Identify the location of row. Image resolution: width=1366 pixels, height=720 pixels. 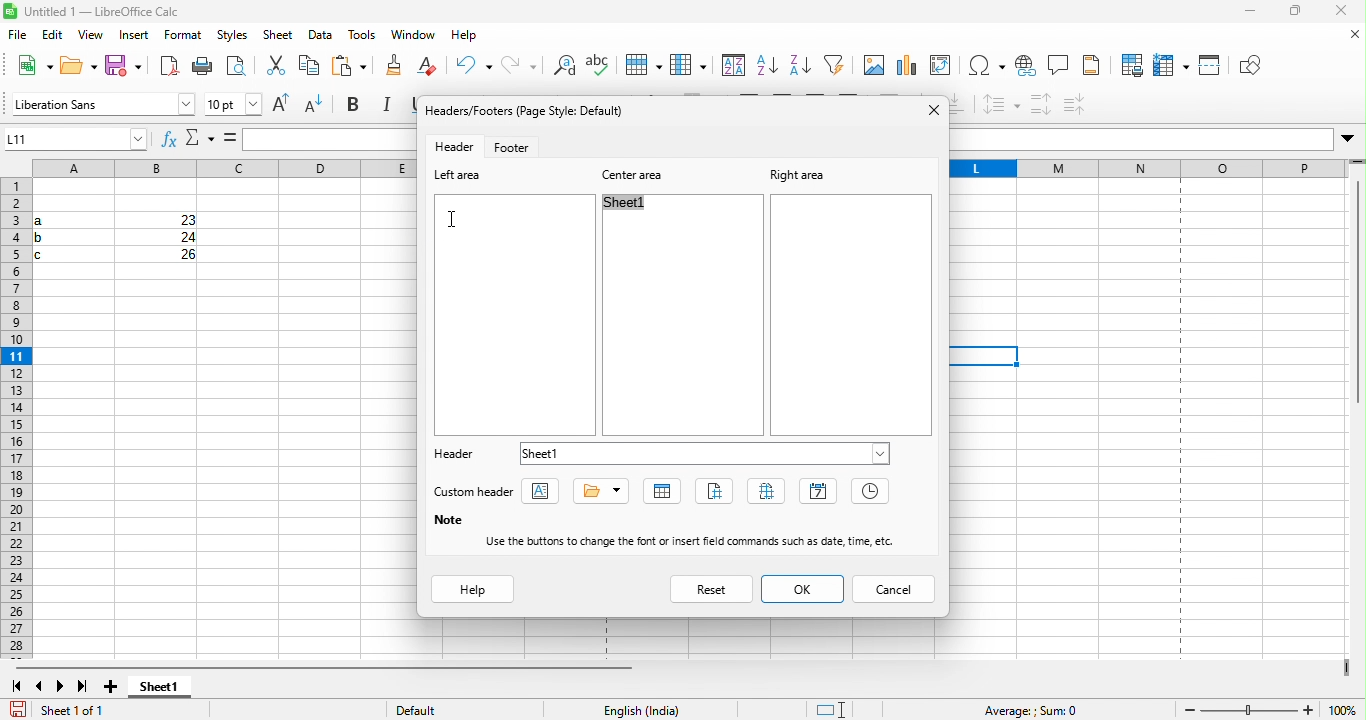
(599, 65).